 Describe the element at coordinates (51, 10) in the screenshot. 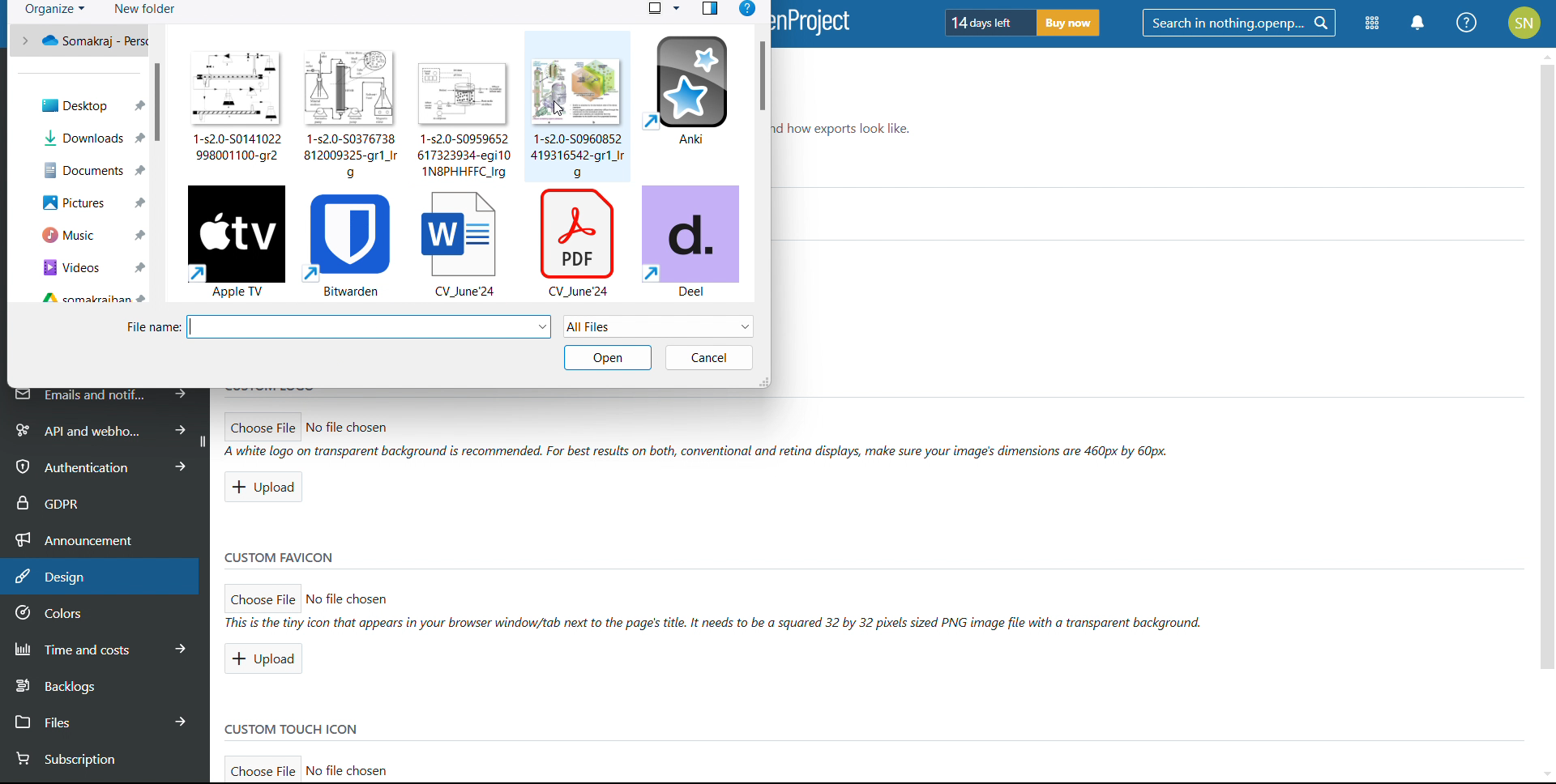

I see `organize` at that location.